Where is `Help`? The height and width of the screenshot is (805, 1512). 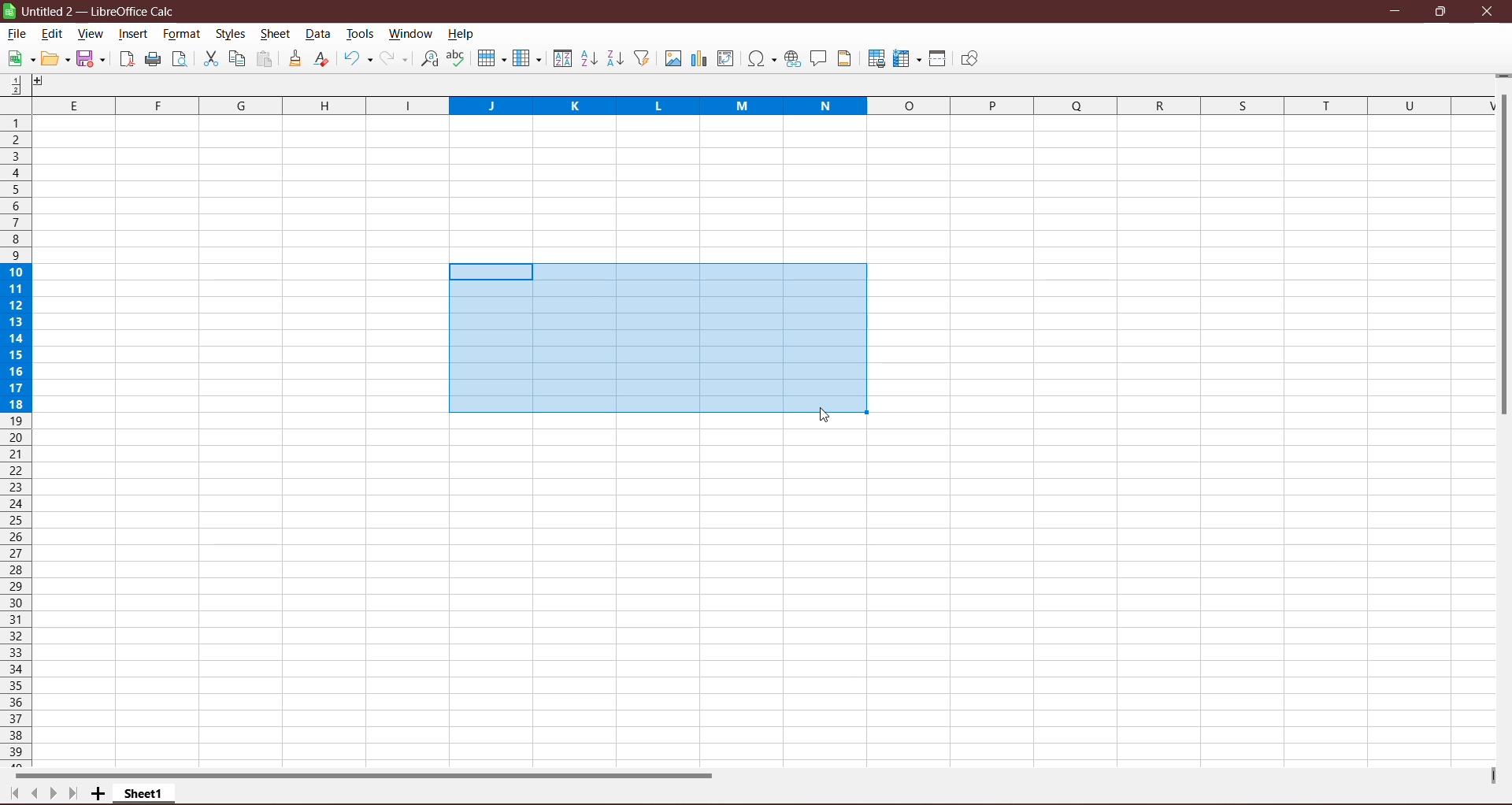 Help is located at coordinates (461, 35).